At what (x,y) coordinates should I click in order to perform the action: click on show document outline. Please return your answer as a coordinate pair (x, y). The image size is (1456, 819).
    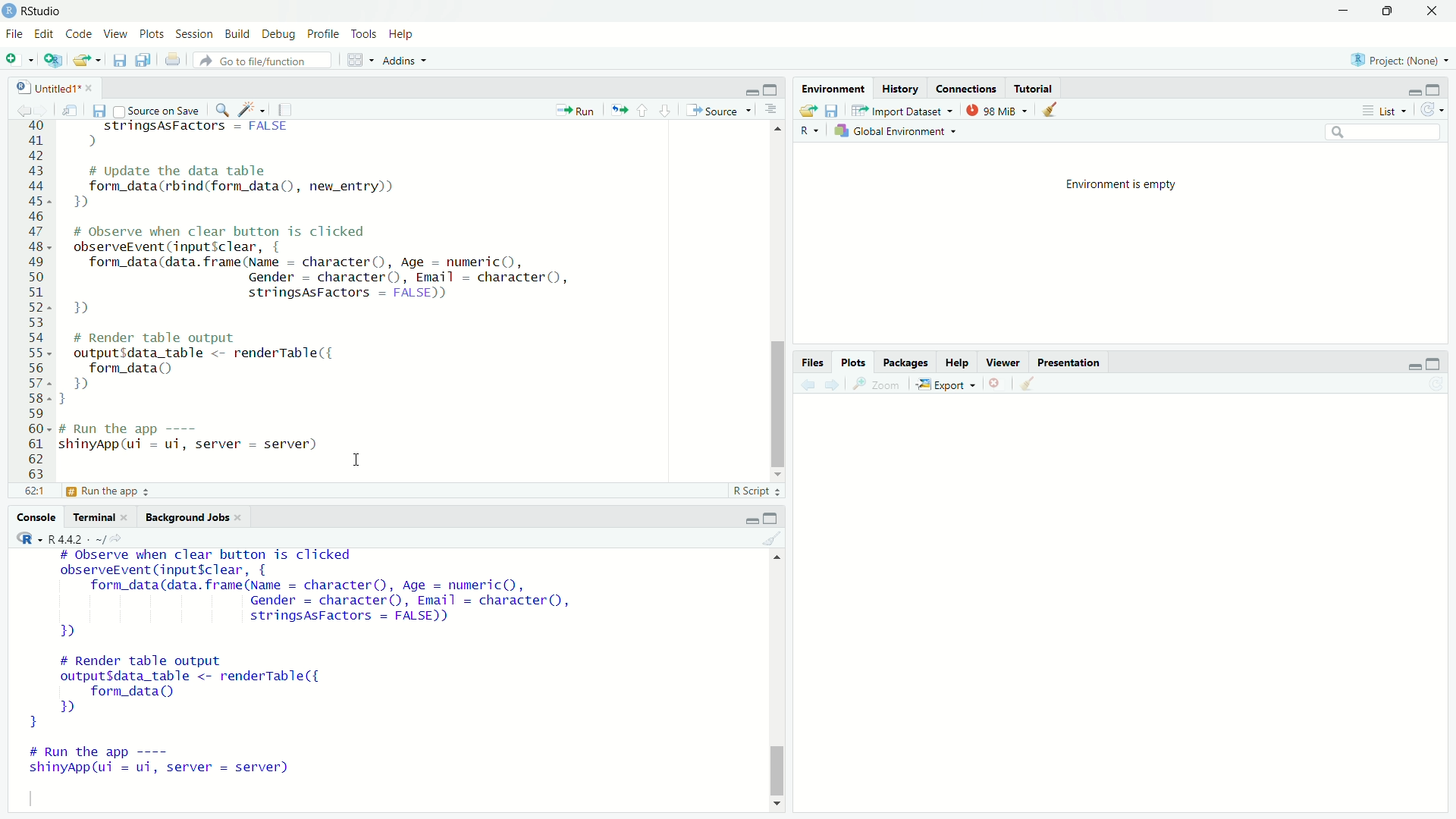
    Looking at the image, I should click on (770, 111).